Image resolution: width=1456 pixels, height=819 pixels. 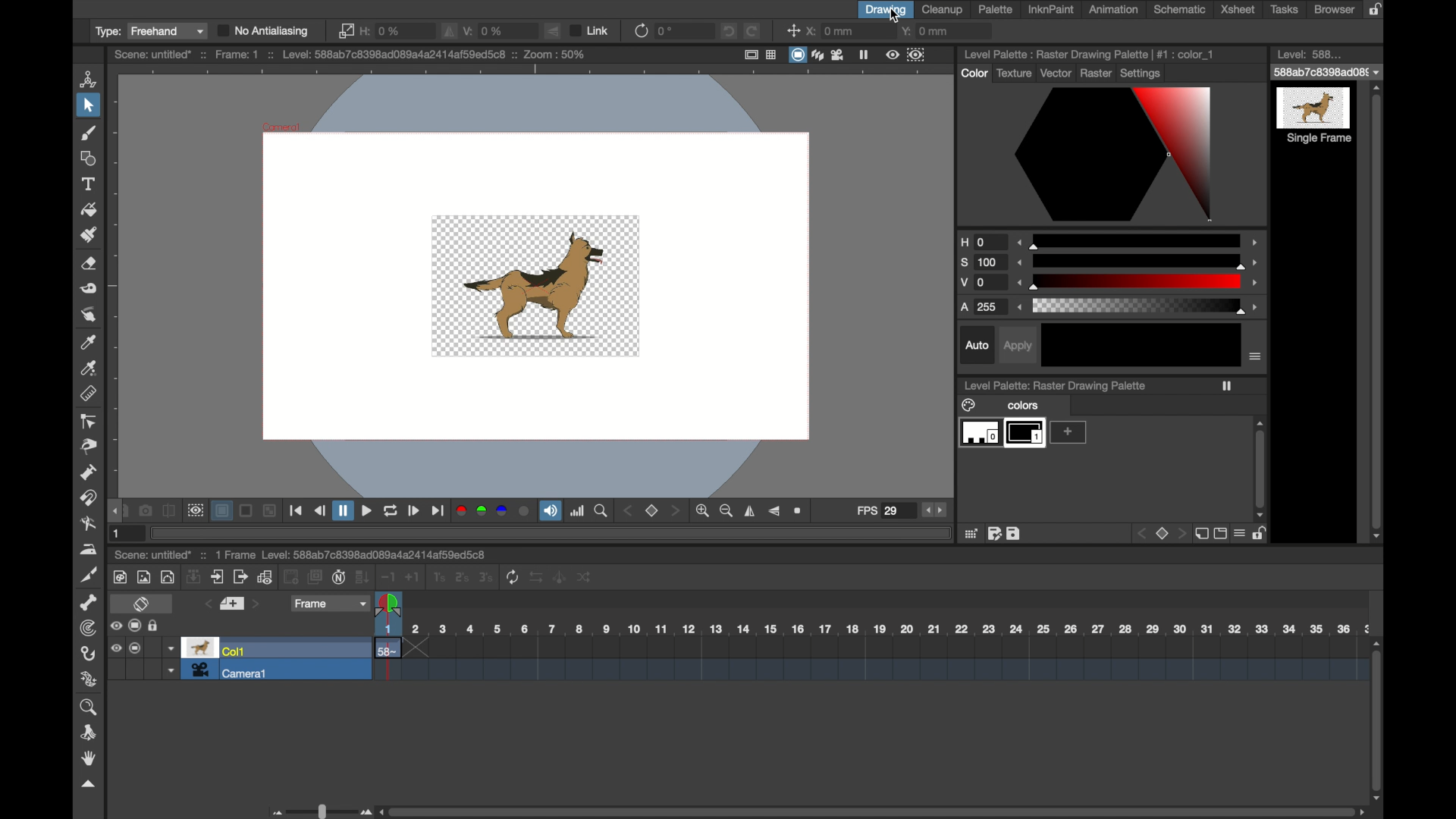 What do you see at coordinates (1116, 155) in the screenshot?
I see `color choice` at bounding box center [1116, 155].